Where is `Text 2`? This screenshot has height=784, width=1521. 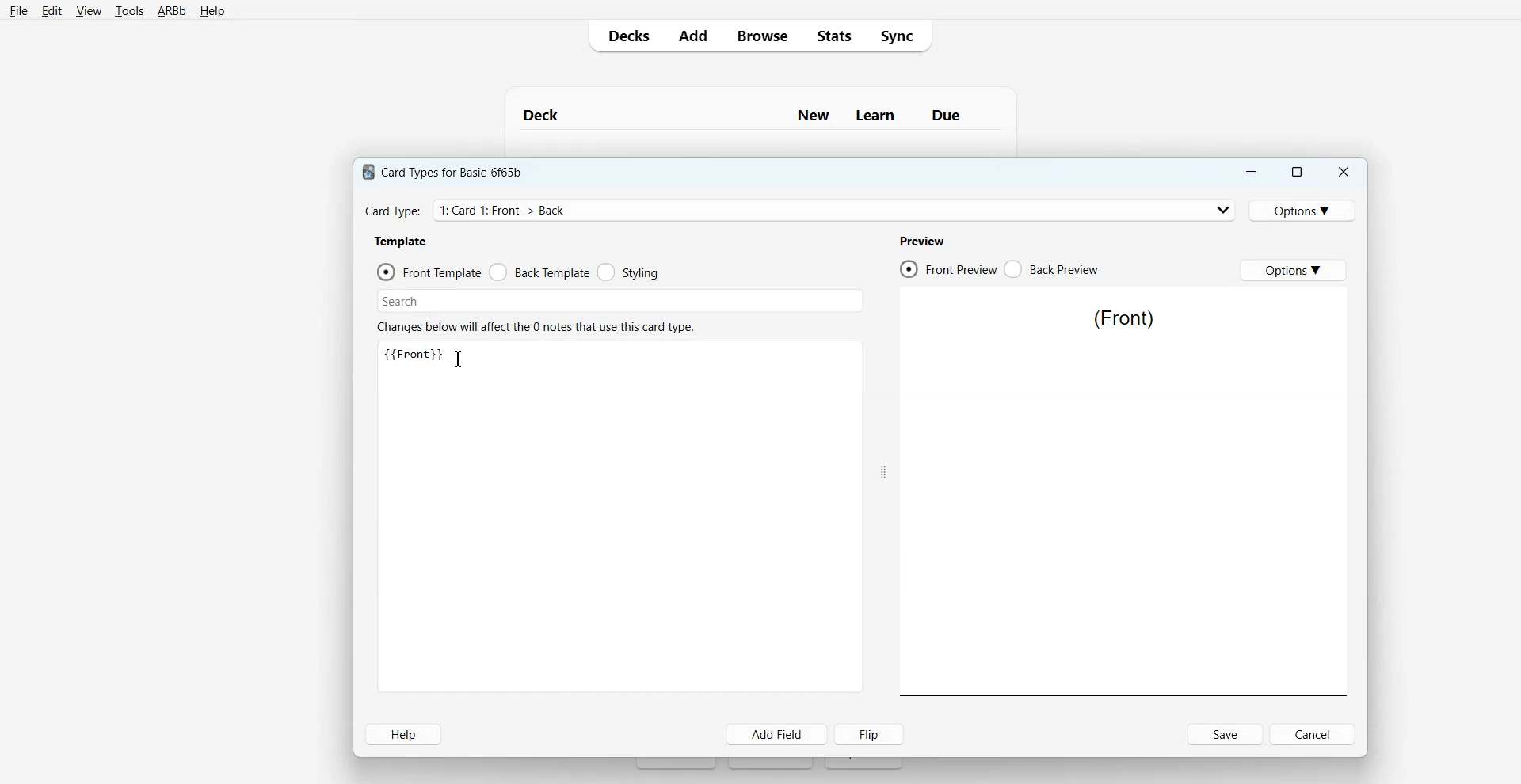
Text 2 is located at coordinates (401, 241).